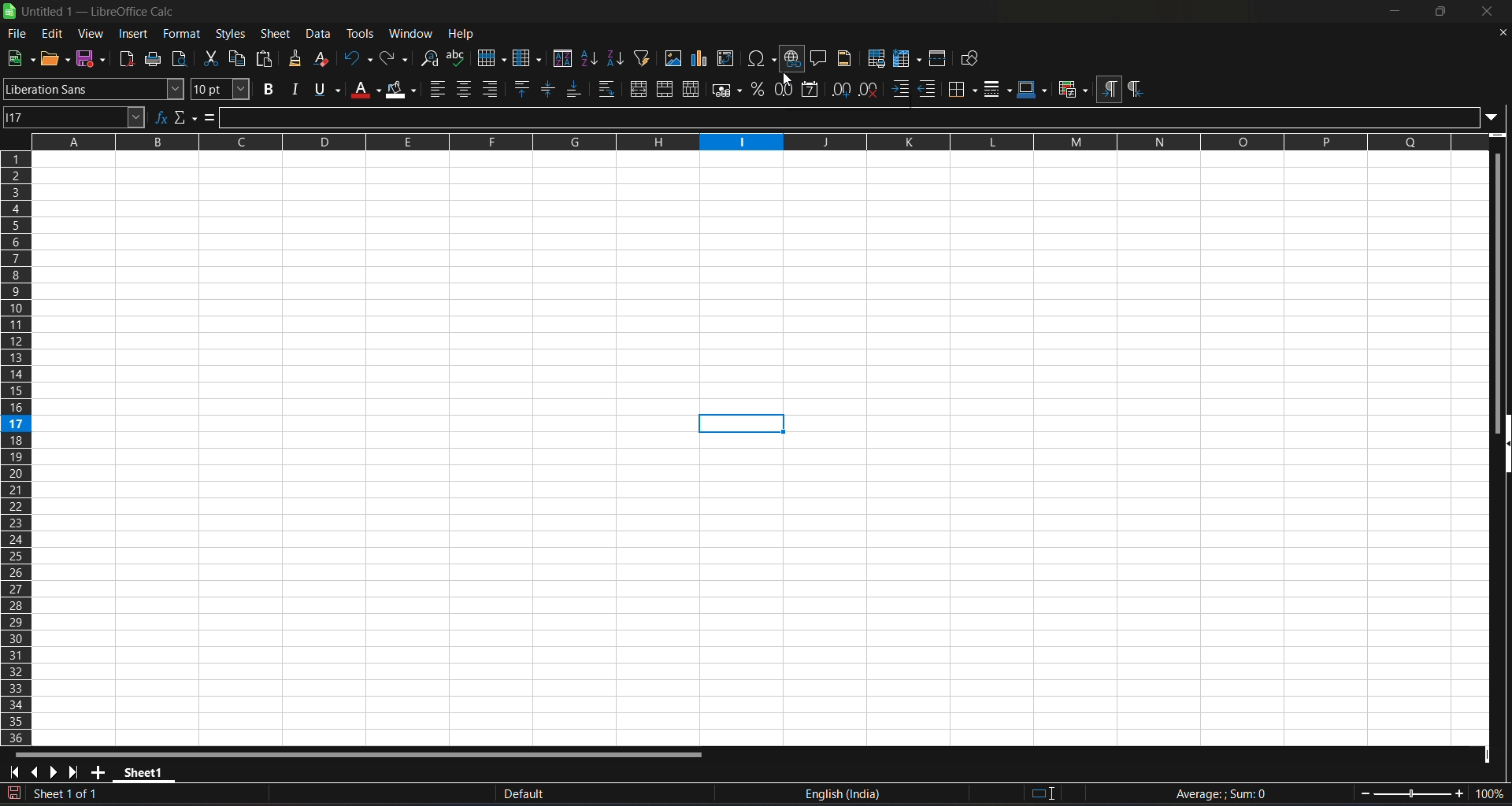  Describe the element at coordinates (998, 89) in the screenshot. I see `border styles` at that location.